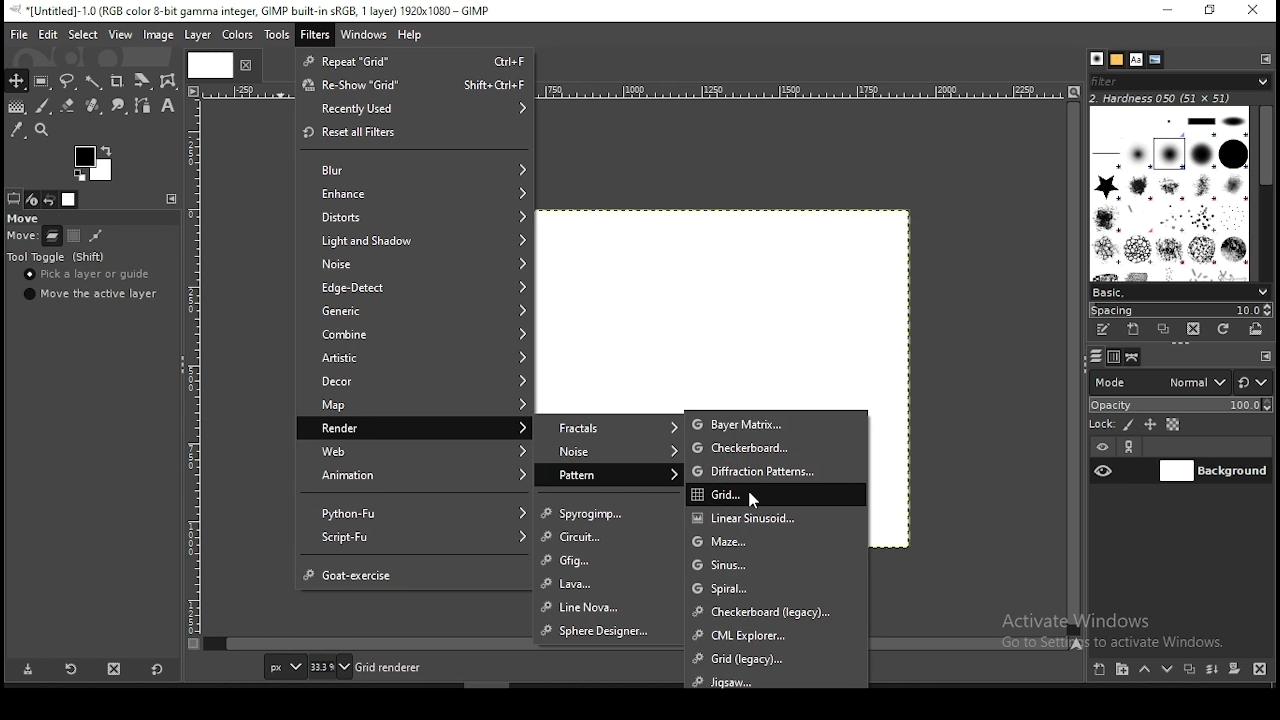  Describe the element at coordinates (411, 355) in the screenshot. I see `artistic` at that location.